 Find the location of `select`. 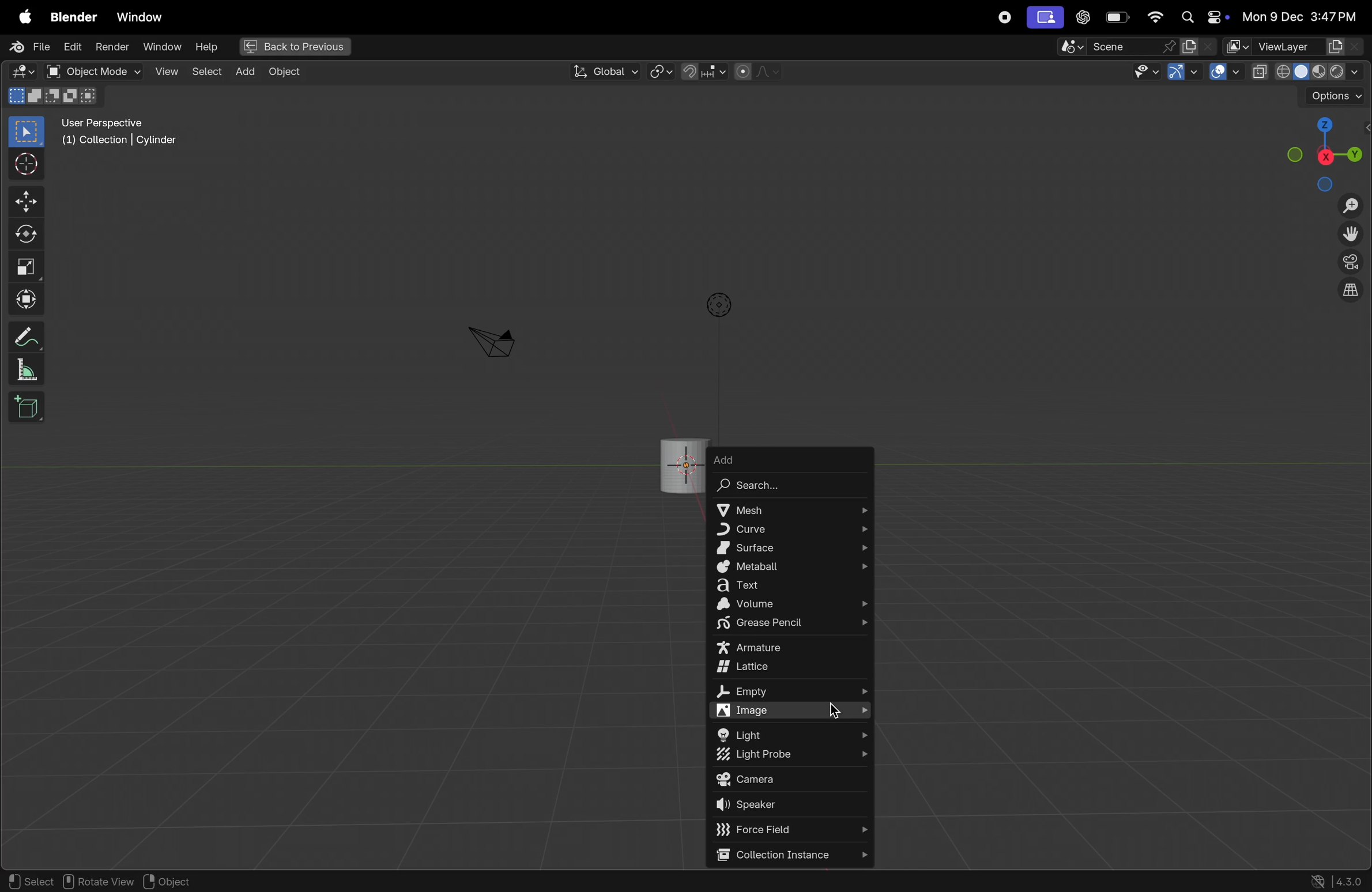

select is located at coordinates (206, 72).